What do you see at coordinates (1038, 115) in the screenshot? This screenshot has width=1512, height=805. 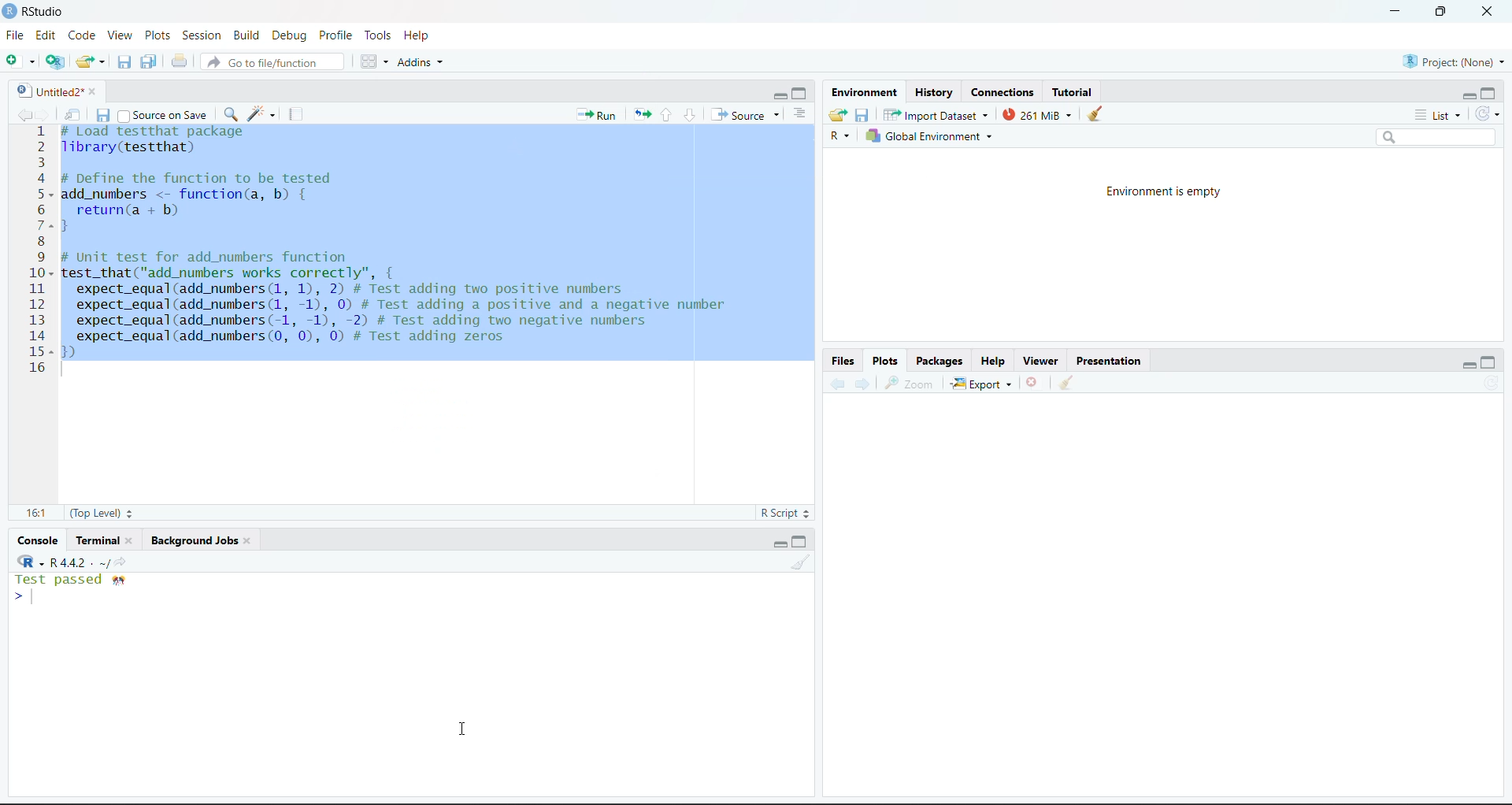 I see `261 Mib` at bounding box center [1038, 115].